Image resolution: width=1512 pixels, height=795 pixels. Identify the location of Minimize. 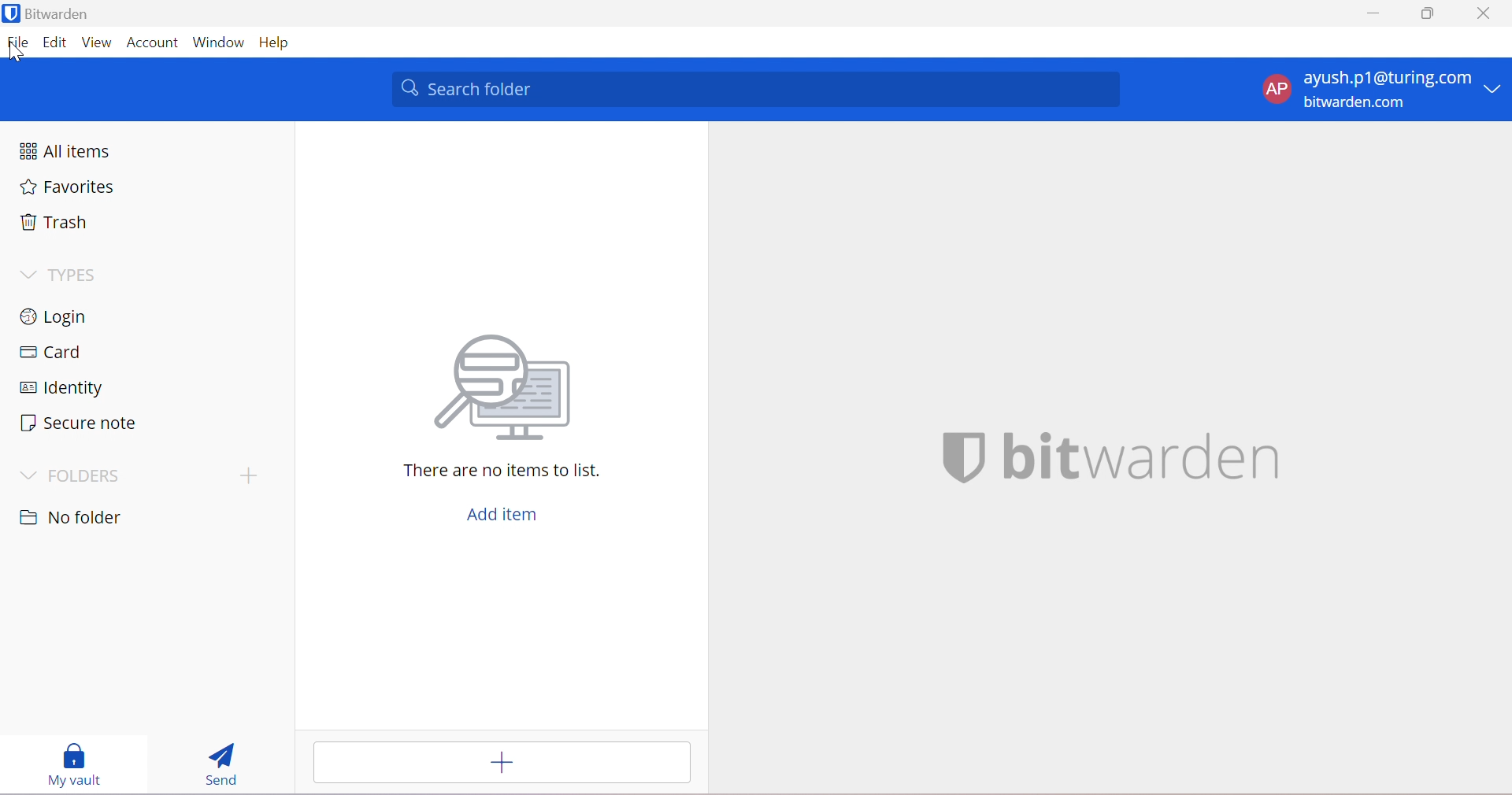
(1373, 12).